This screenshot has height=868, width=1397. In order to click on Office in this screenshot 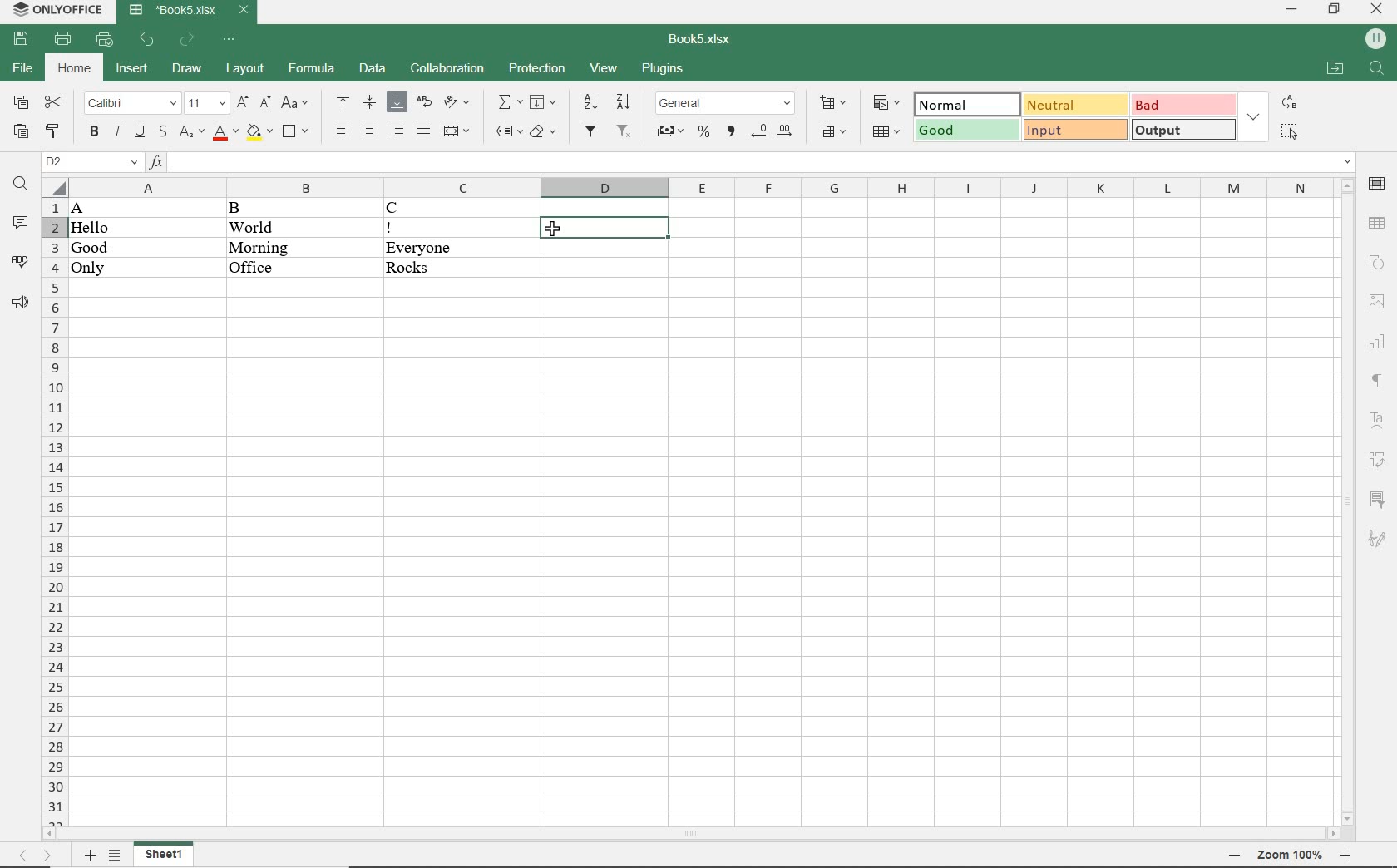, I will do `click(259, 267)`.